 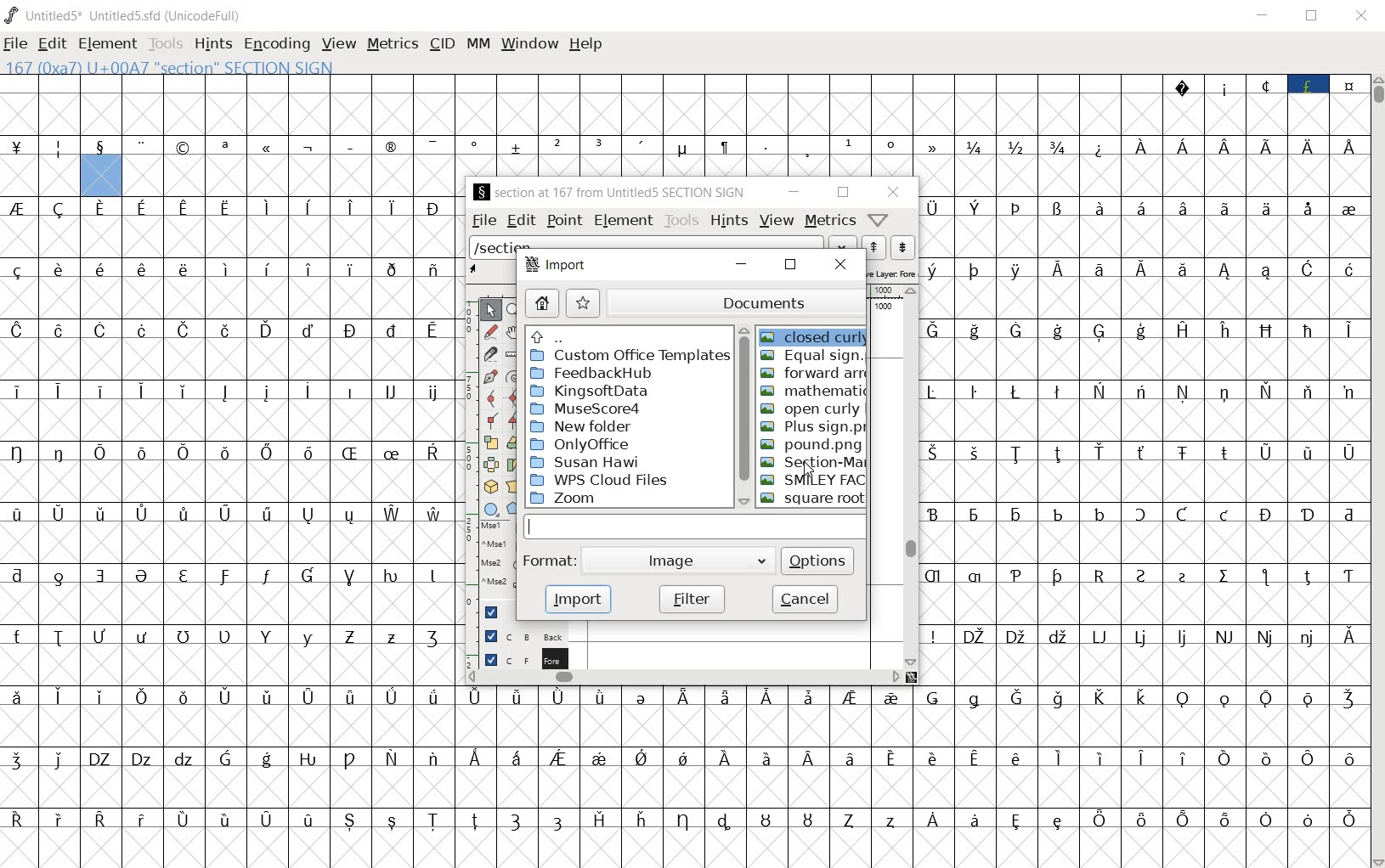 I want to click on New folder, so click(x=584, y=426).